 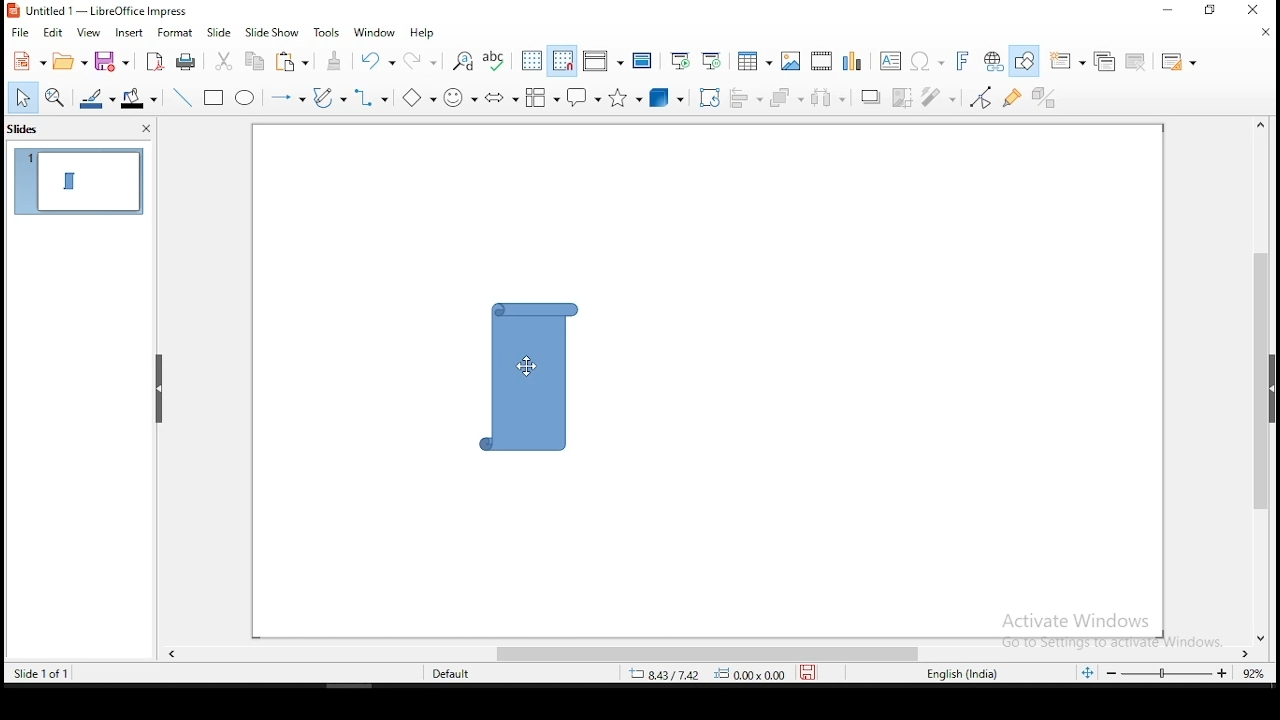 What do you see at coordinates (154, 61) in the screenshot?
I see `export as pdf` at bounding box center [154, 61].